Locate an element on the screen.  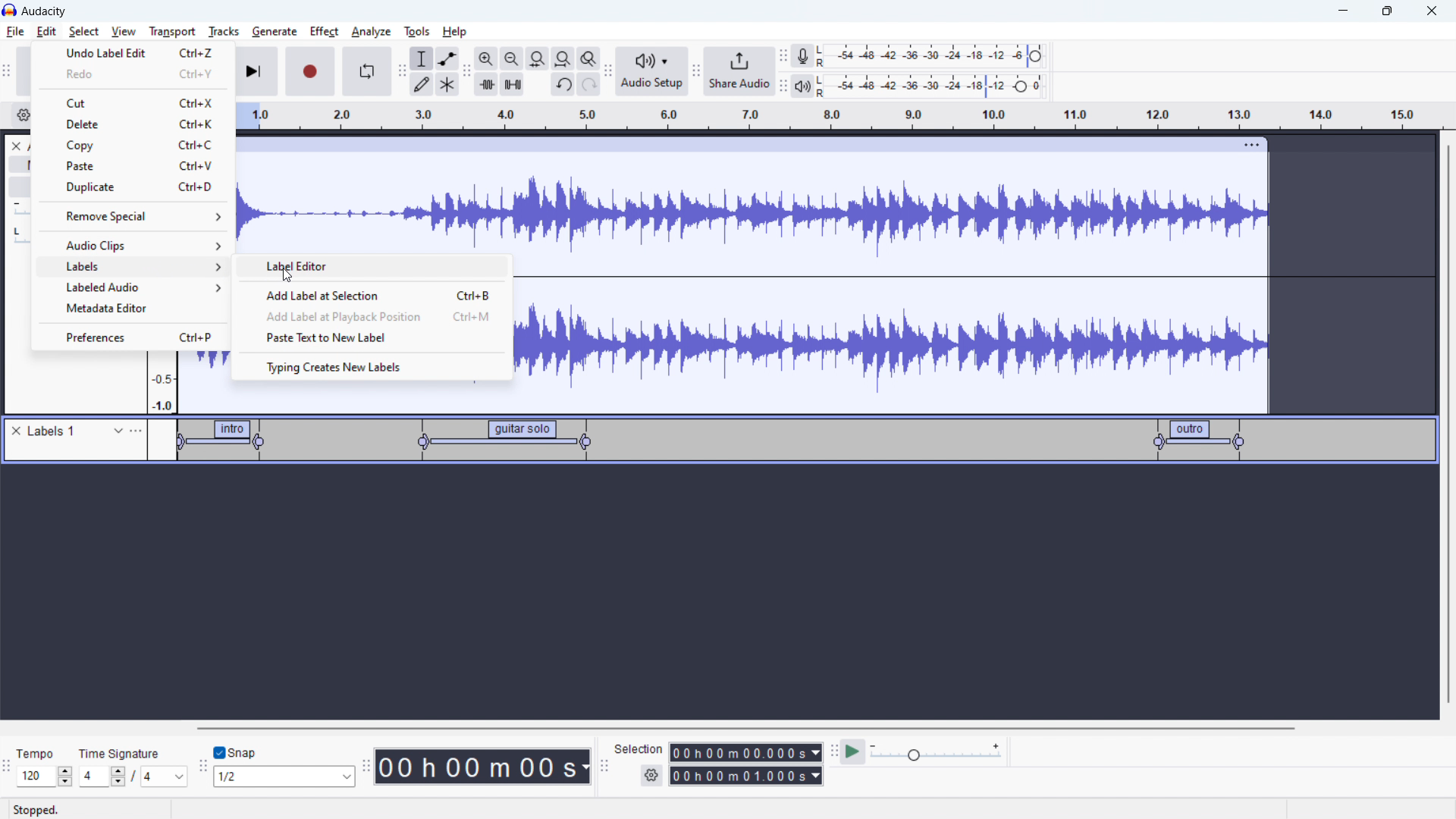
tempo is located at coordinates (45, 753).